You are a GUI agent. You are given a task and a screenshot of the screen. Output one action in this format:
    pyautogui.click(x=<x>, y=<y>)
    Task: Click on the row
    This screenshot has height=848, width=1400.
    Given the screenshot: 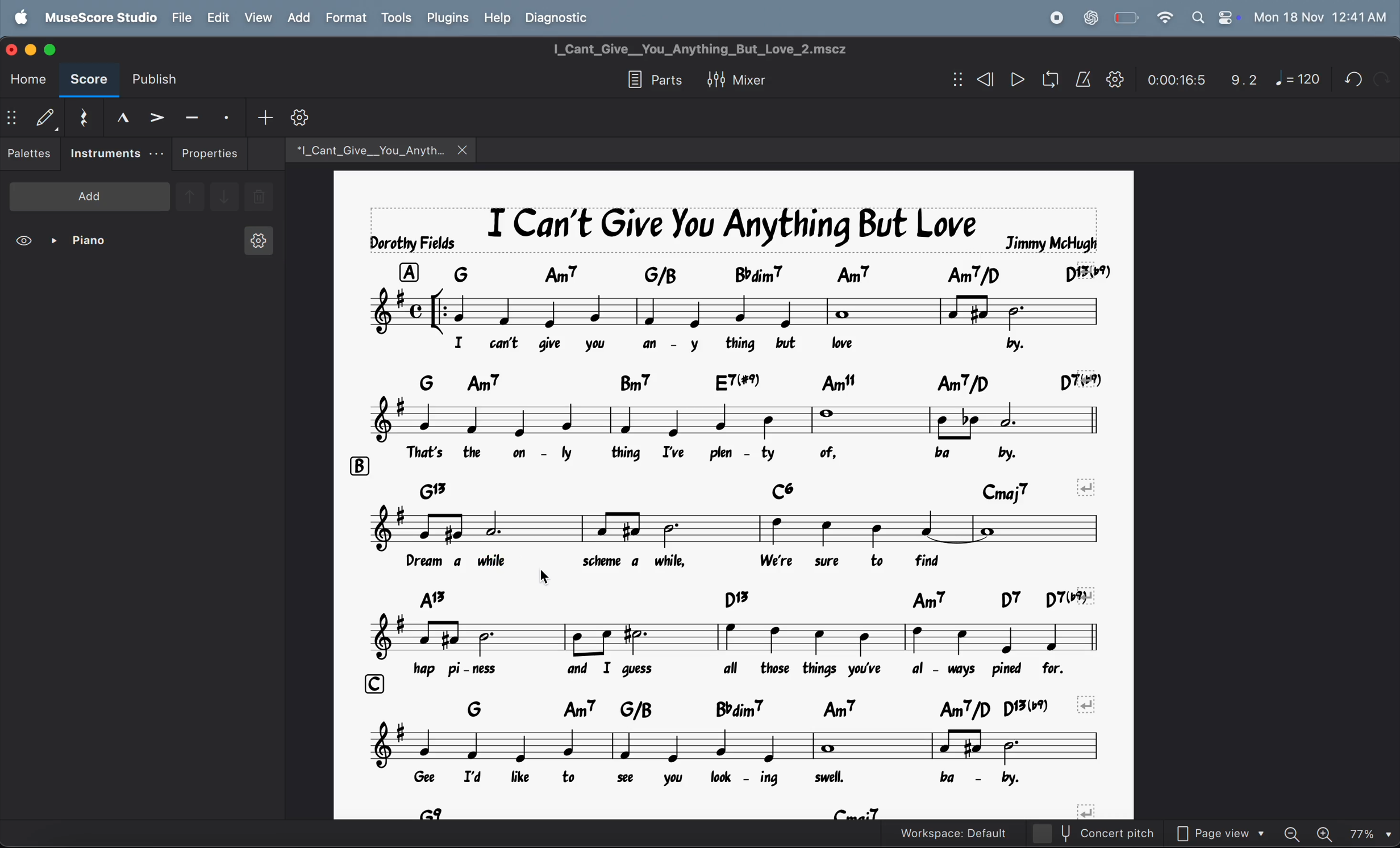 What is the action you would take?
    pyautogui.click(x=355, y=463)
    